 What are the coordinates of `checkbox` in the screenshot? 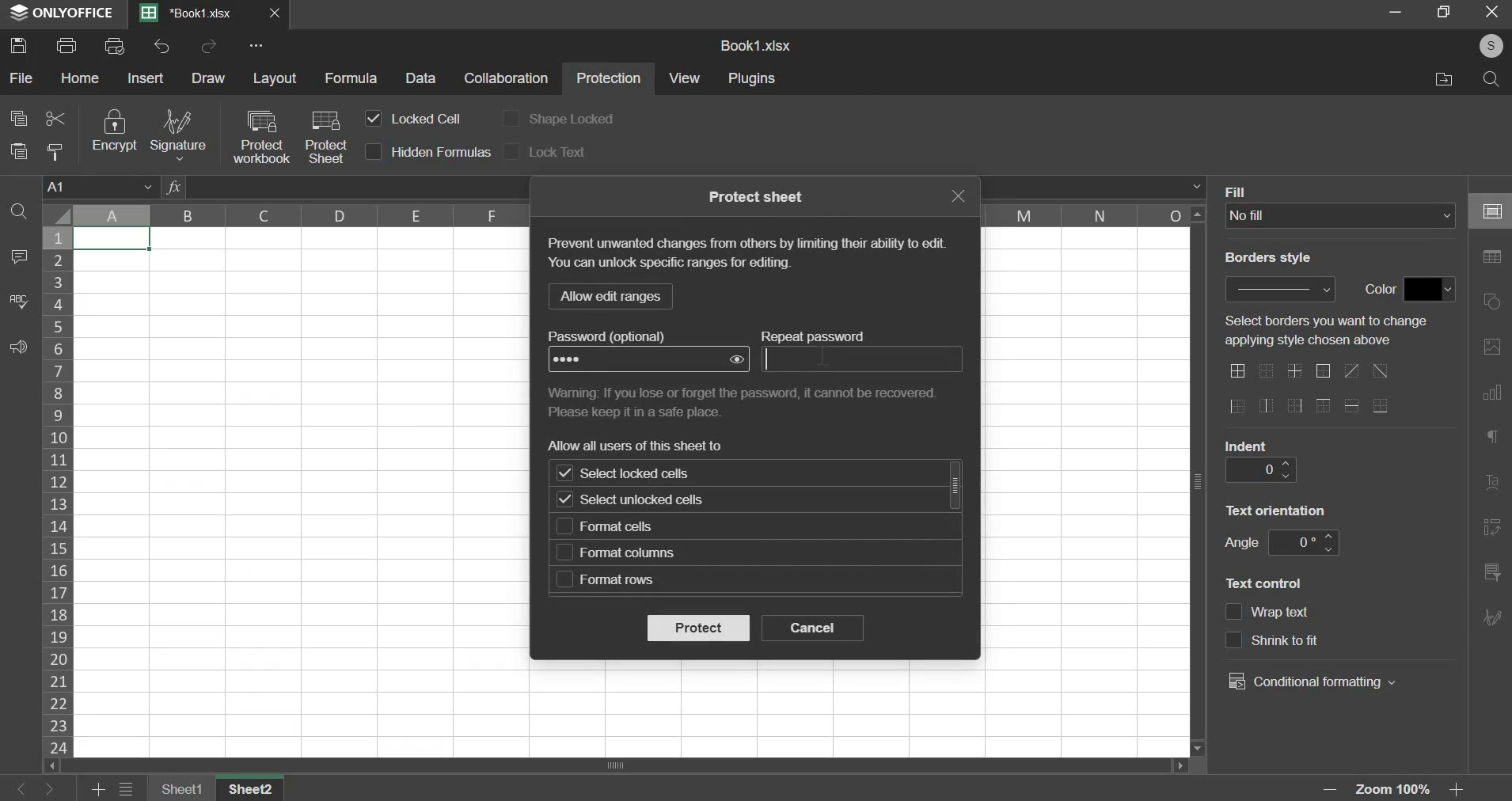 It's located at (564, 526).